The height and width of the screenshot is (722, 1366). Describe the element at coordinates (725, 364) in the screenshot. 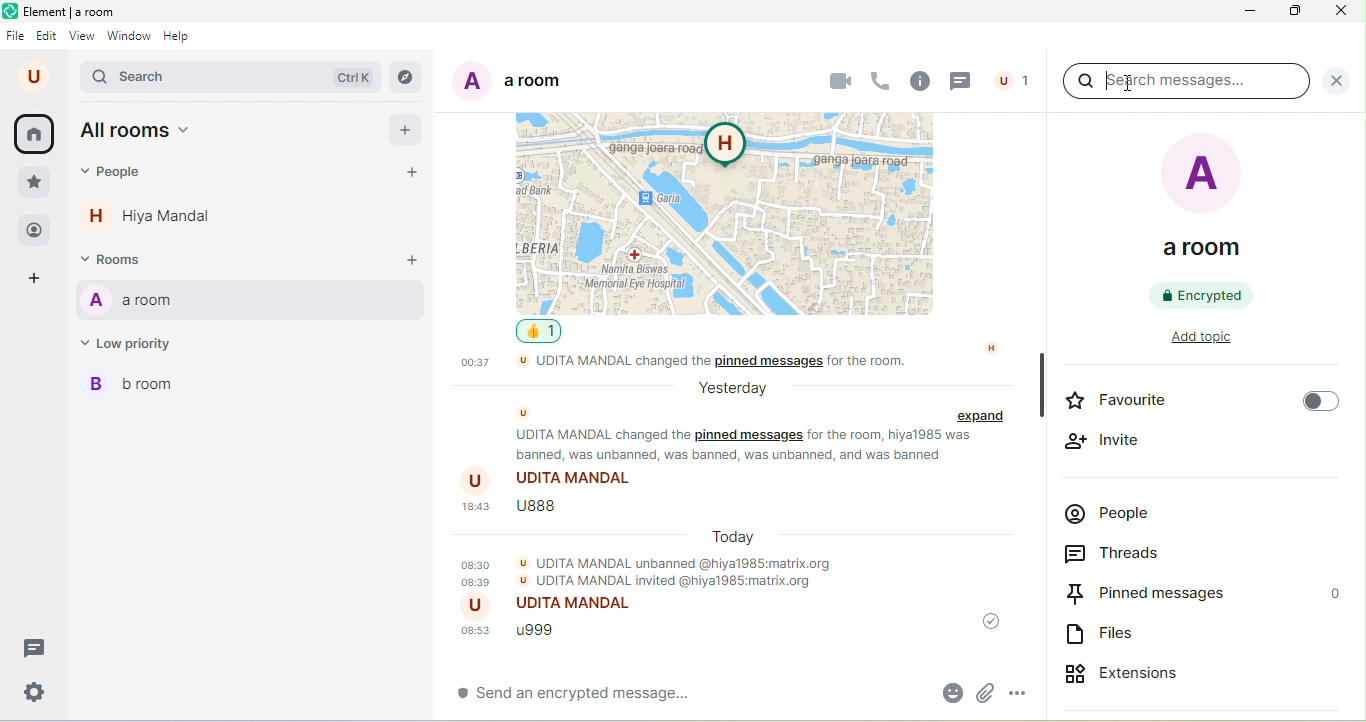

I see `udita mandal changed the pinned message for the room` at that location.